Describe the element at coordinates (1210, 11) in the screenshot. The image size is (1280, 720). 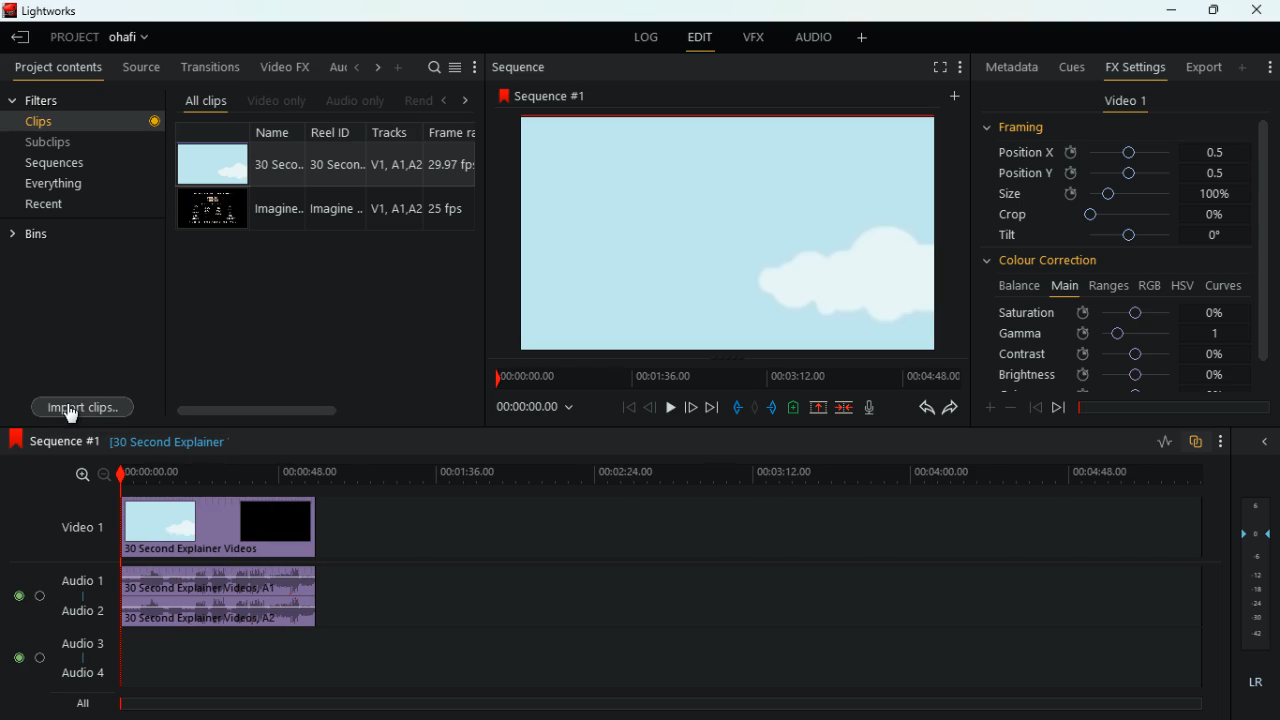
I see `maximize` at that location.